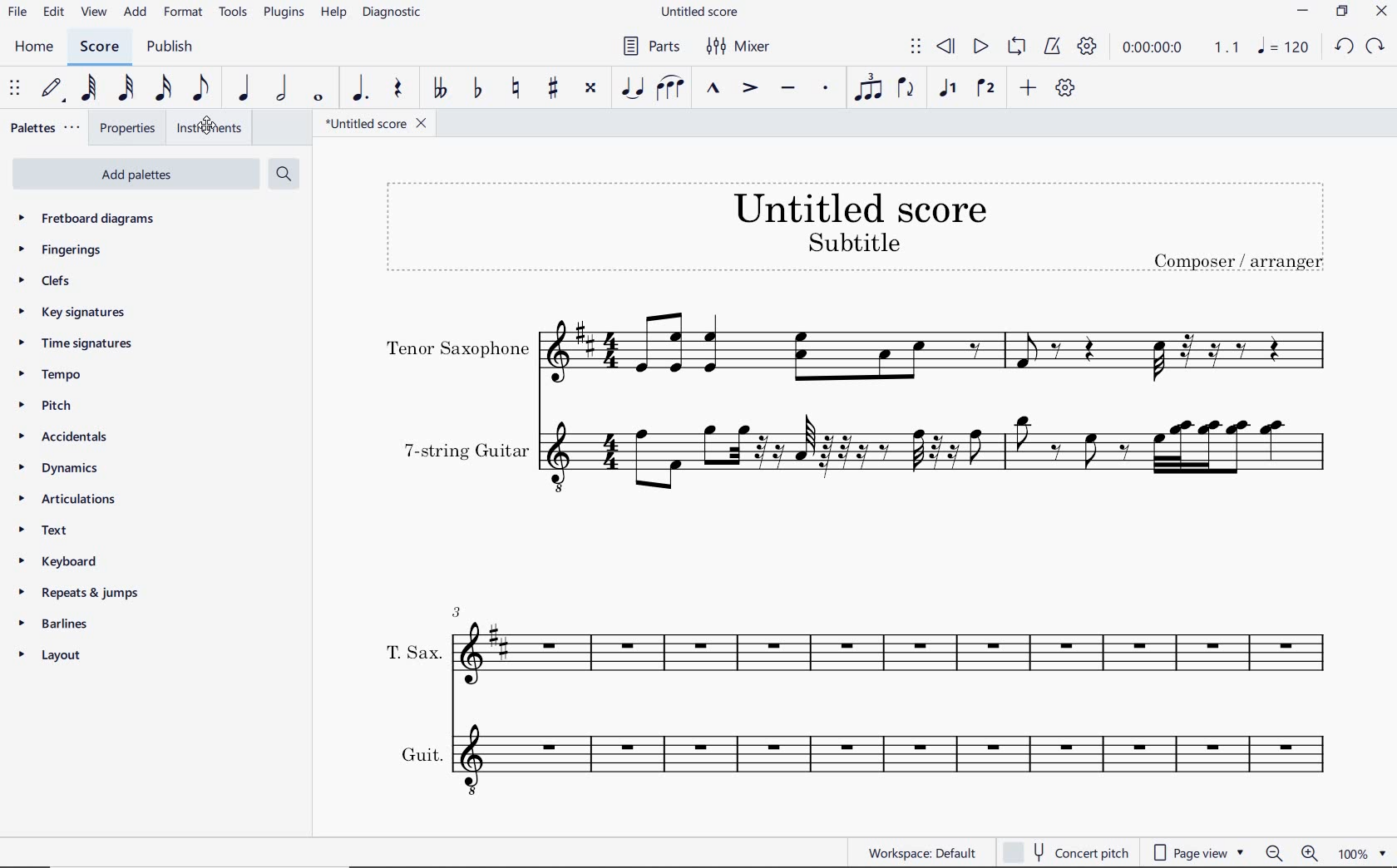 This screenshot has height=868, width=1397. I want to click on INSTRUMENT: GUIT, so click(853, 757).